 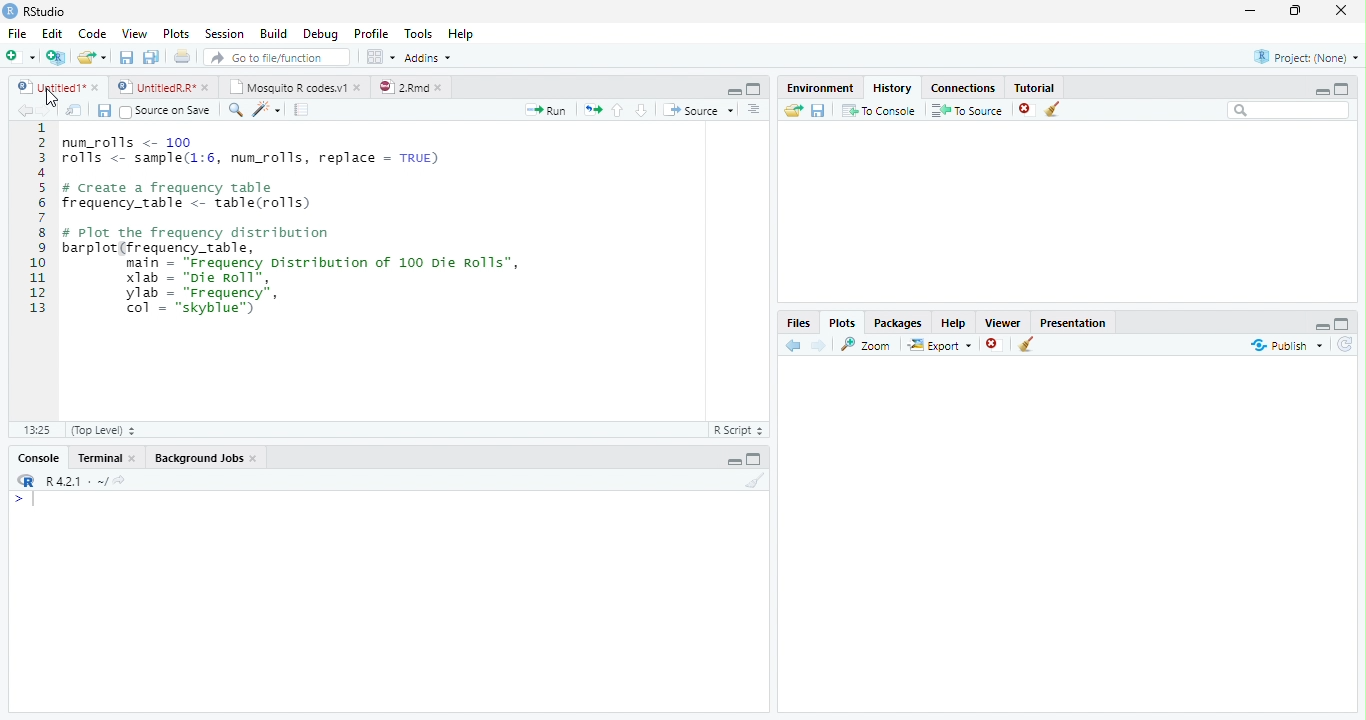 What do you see at coordinates (374, 33) in the screenshot?
I see `Profile` at bounding box center [374, 33].